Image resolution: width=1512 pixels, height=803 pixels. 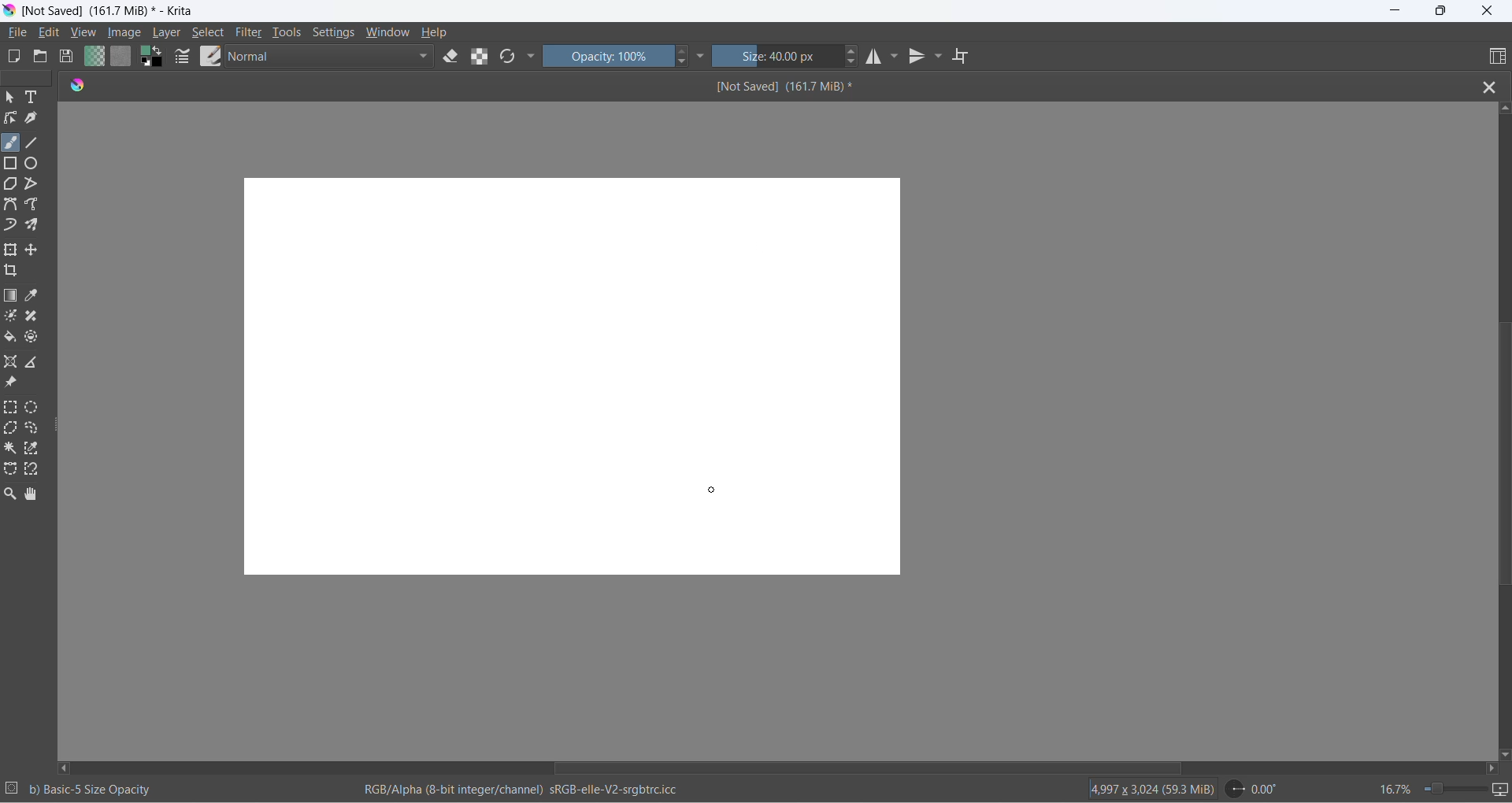 What do you see at coordinates (34, 250) in the screenshot?
I see `move a layer` at bounding box center [34, 250].